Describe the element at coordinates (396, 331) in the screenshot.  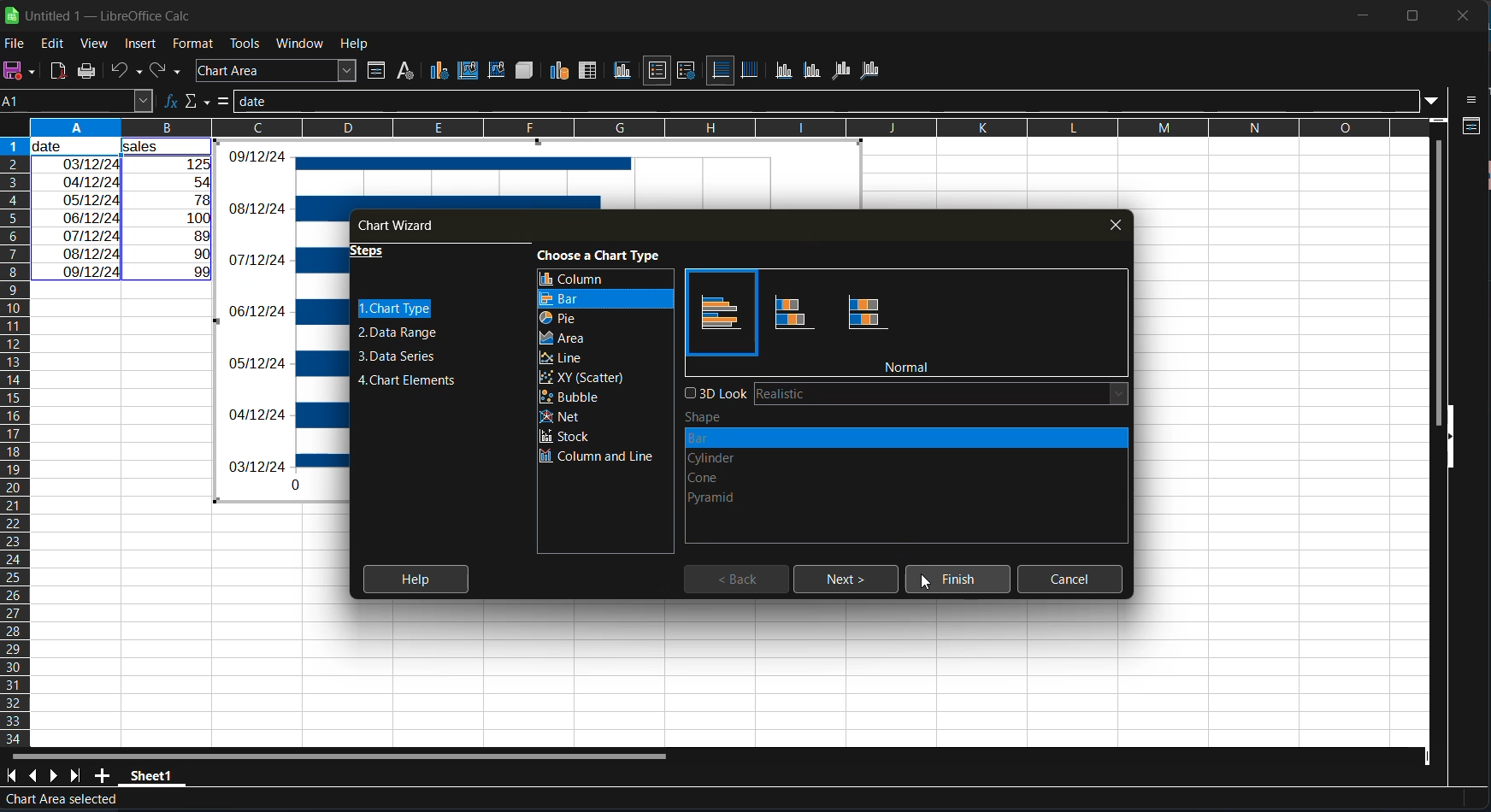
I see `data range` at that location.